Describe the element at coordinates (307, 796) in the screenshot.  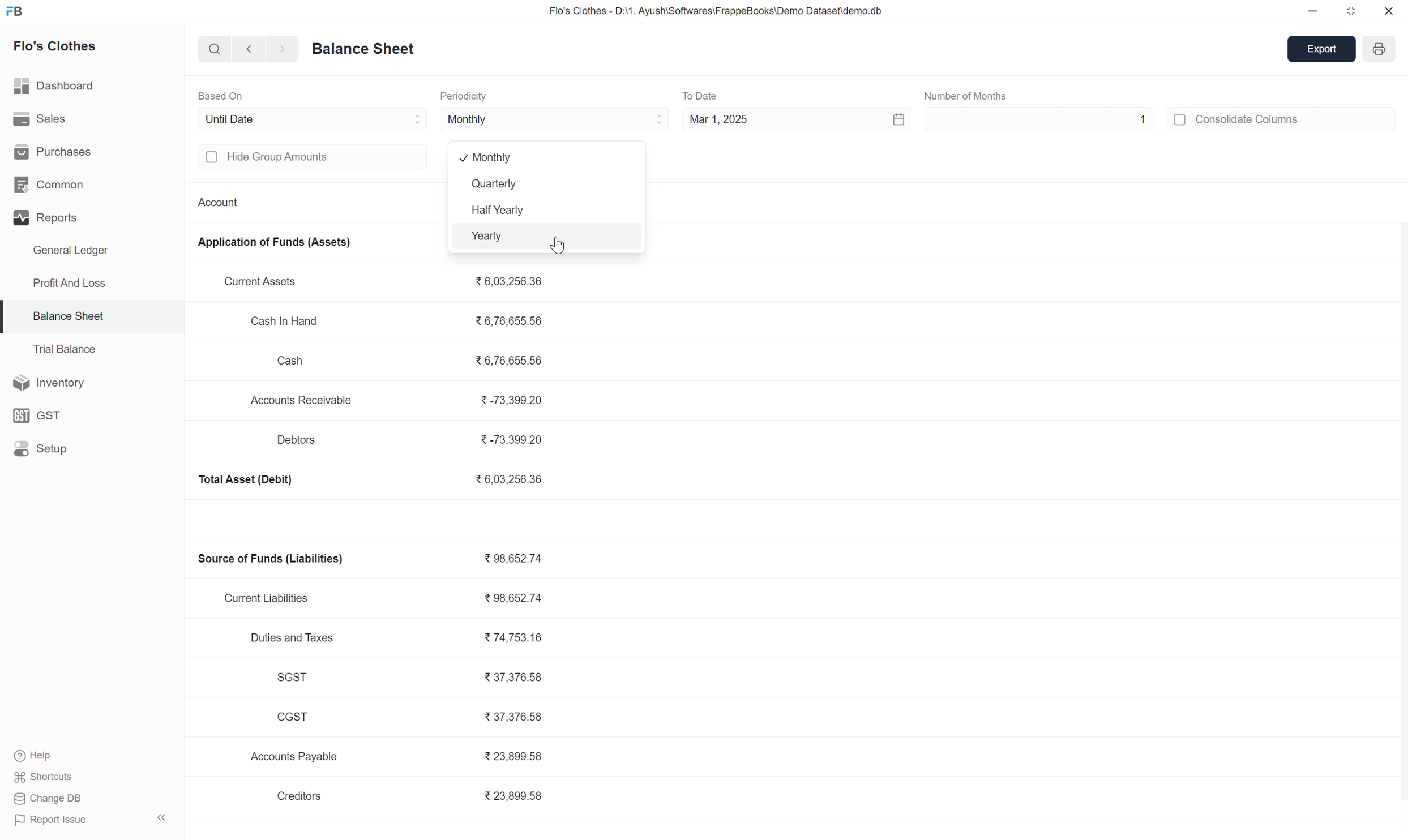
I see `Creditors` at that location.